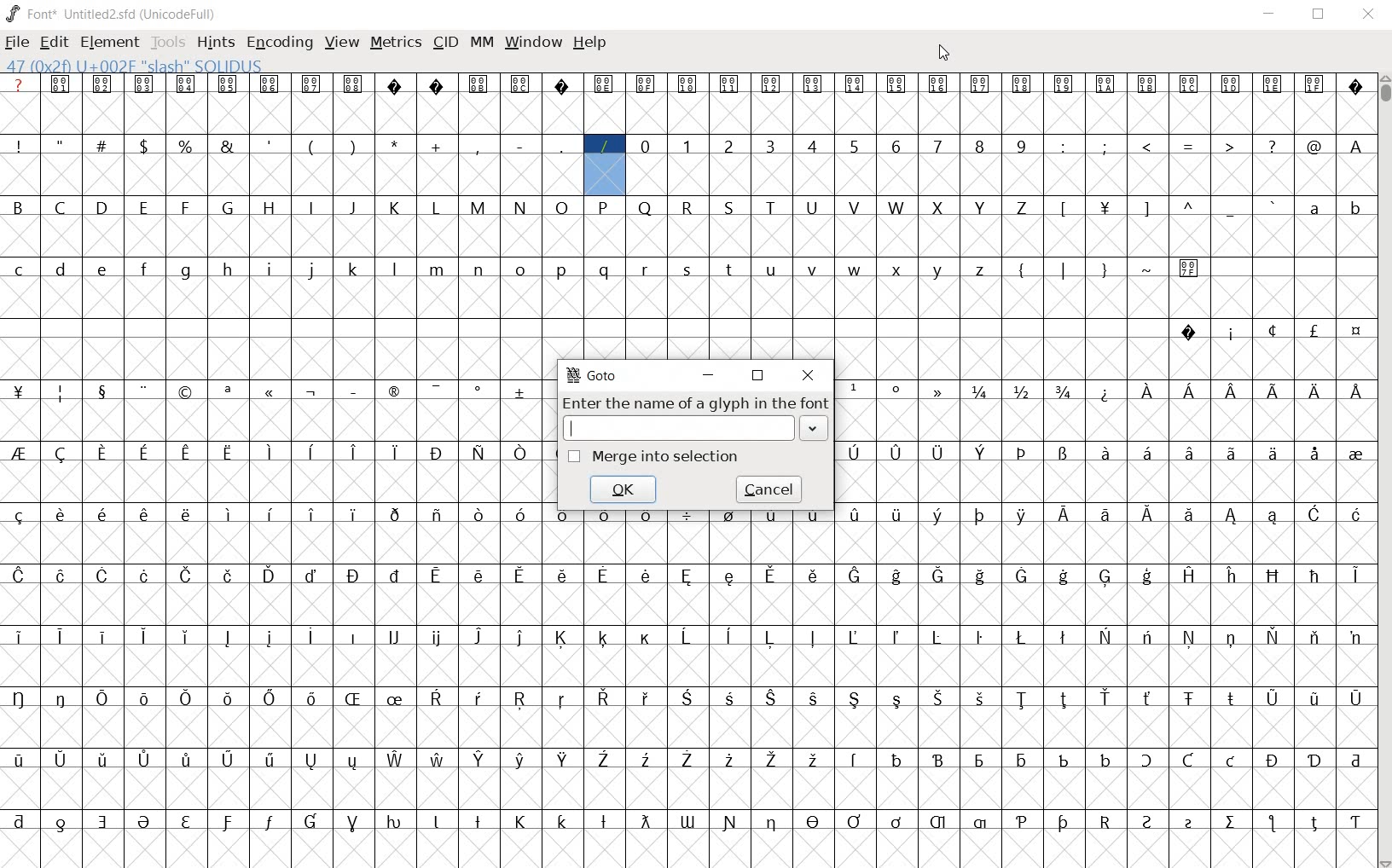 The image size is (1392, 868). Describe the element at coordinates (227, 638) in the screenshot. I see `glyph` at that location.